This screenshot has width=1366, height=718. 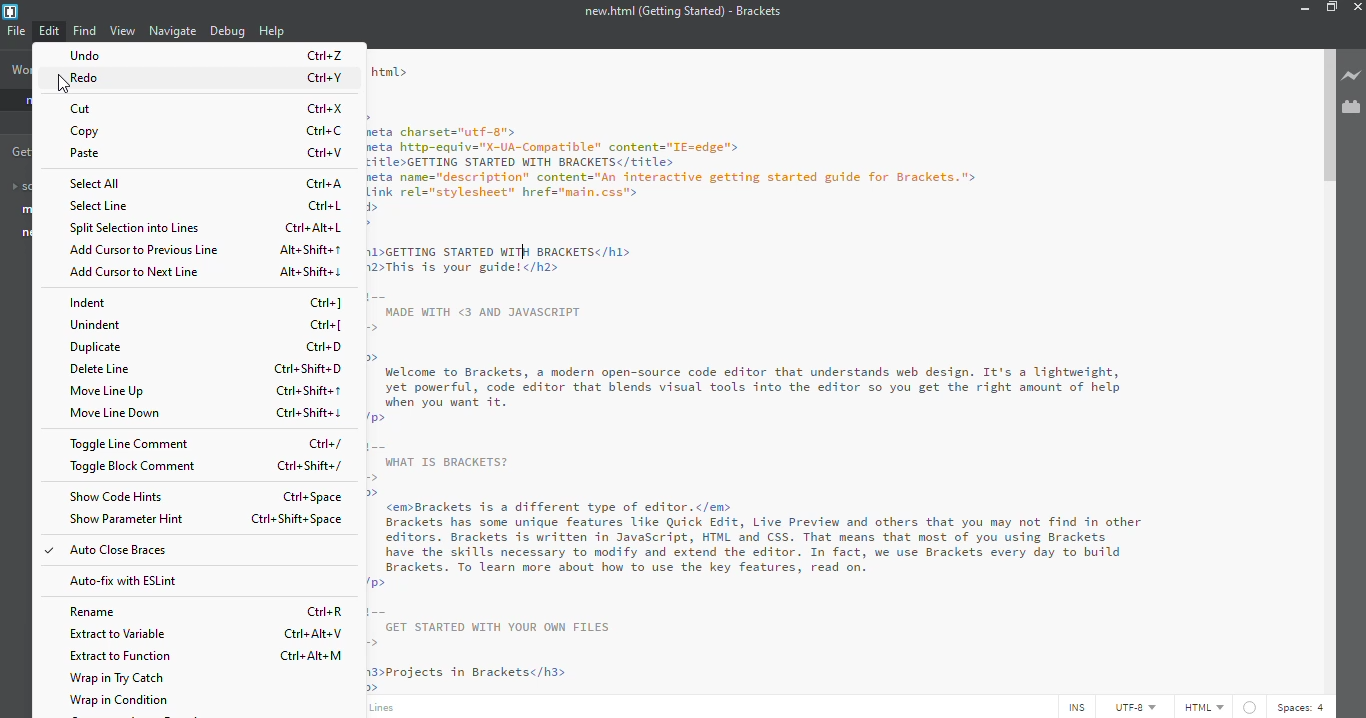 What do you see at coordinates (100, 205) in the screenshot?
I see `select line` at bounding box center [100, 205].